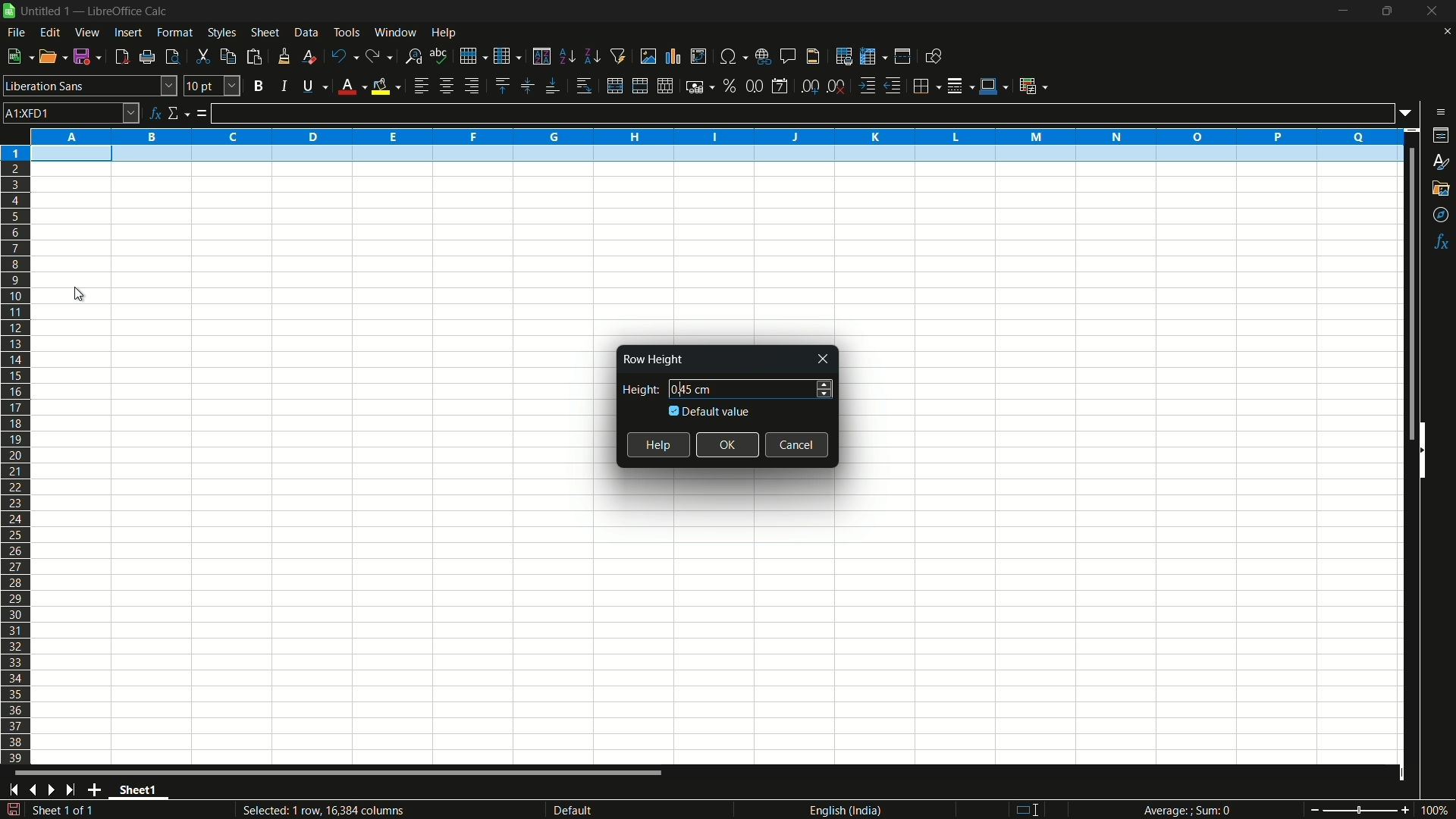  What do you see at coordinates (92, 10) in the screenshot?
I see `| Untitled 1 — LibreOffice Calc` at bounding box center [92, 10].